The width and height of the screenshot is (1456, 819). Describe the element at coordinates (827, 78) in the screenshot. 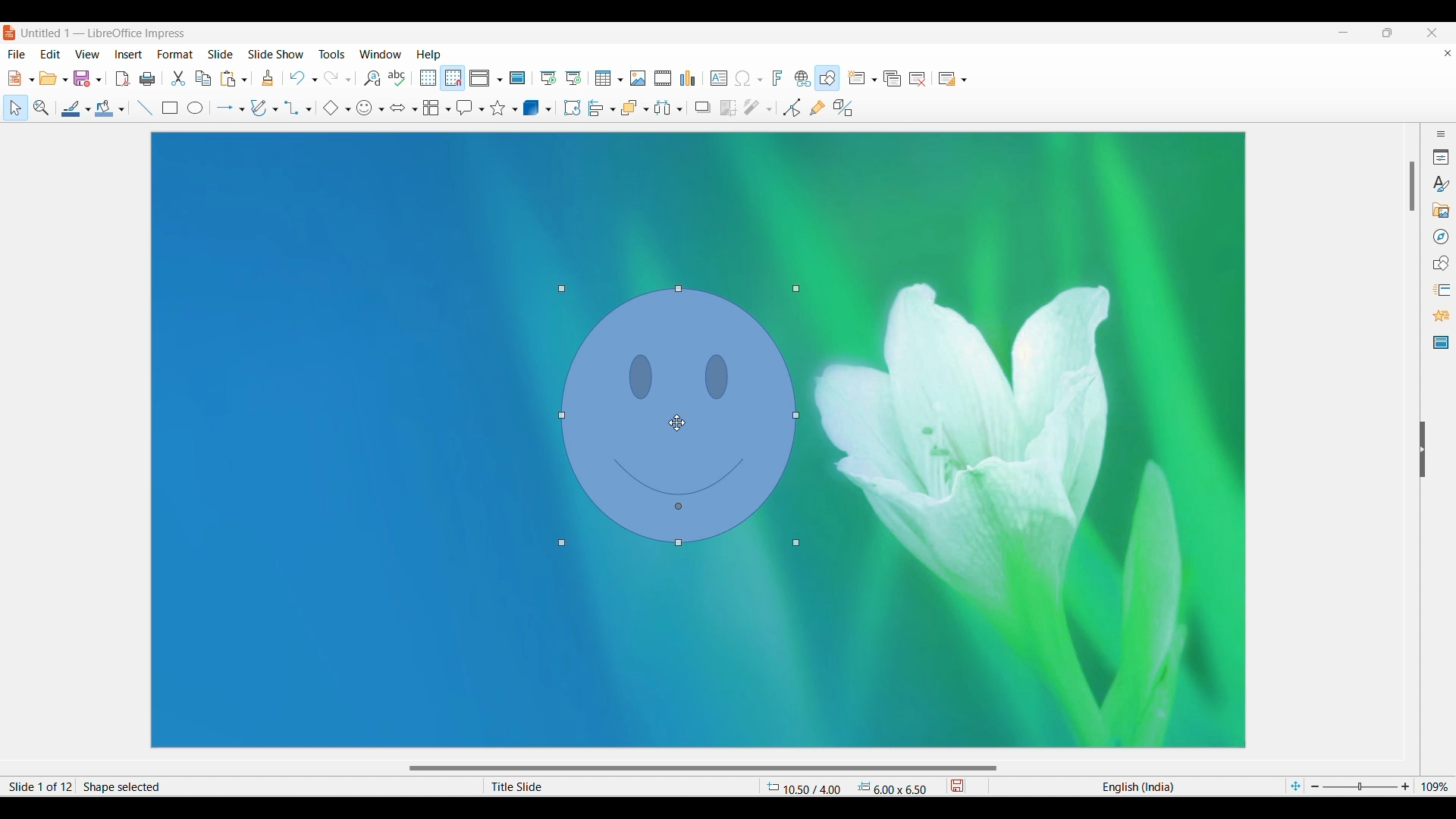

I see `Show draw functions` at that location.